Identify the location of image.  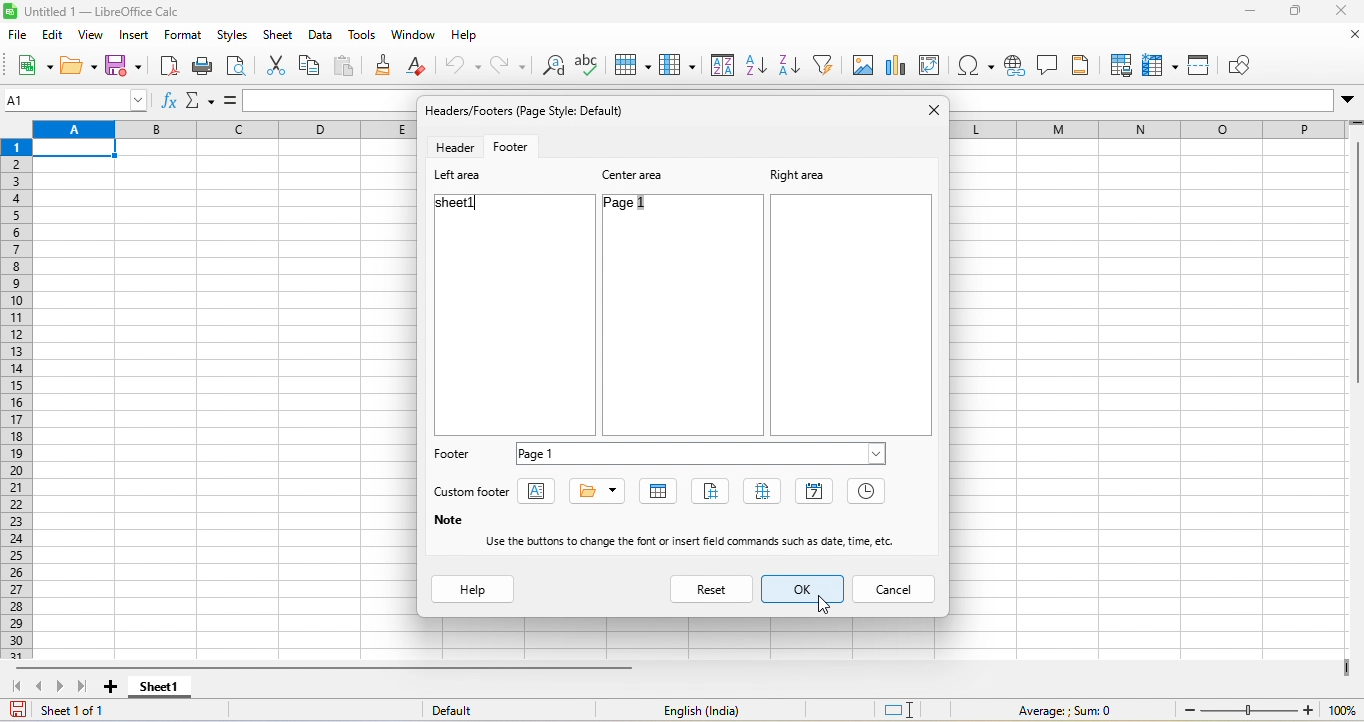
(866, 64).